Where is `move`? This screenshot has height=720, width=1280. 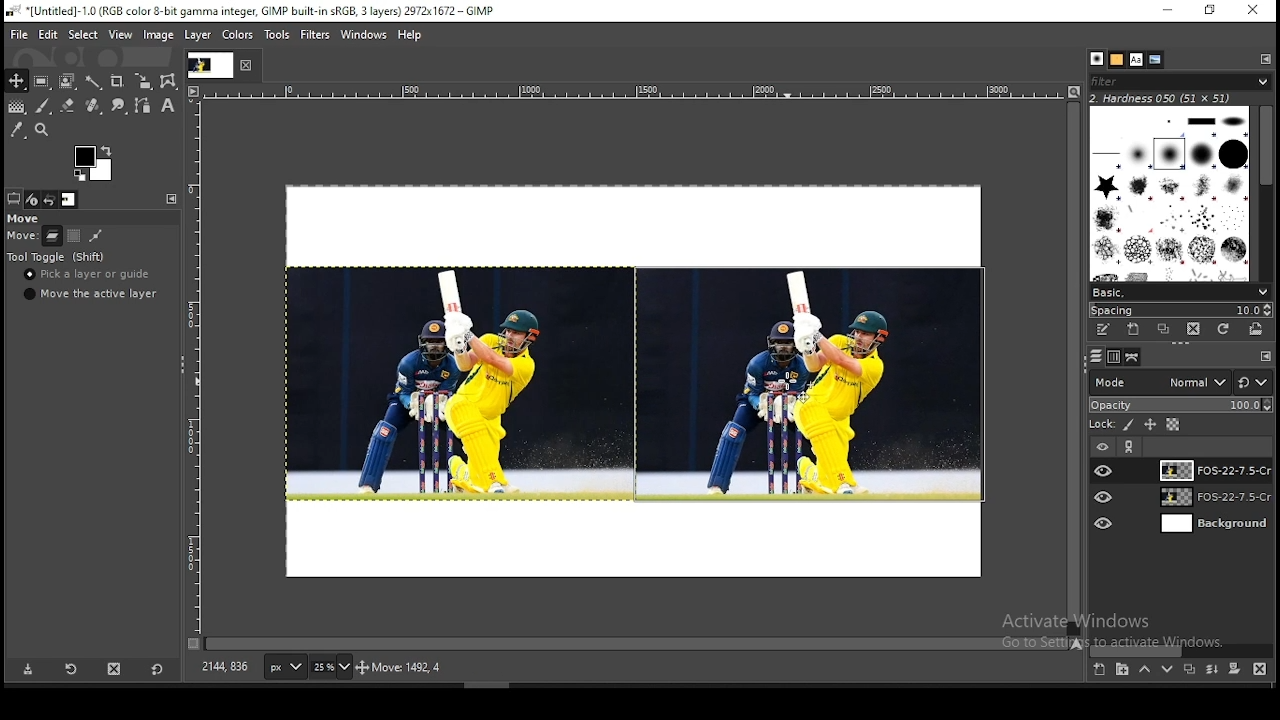
move is located at coordinates (25, 219).